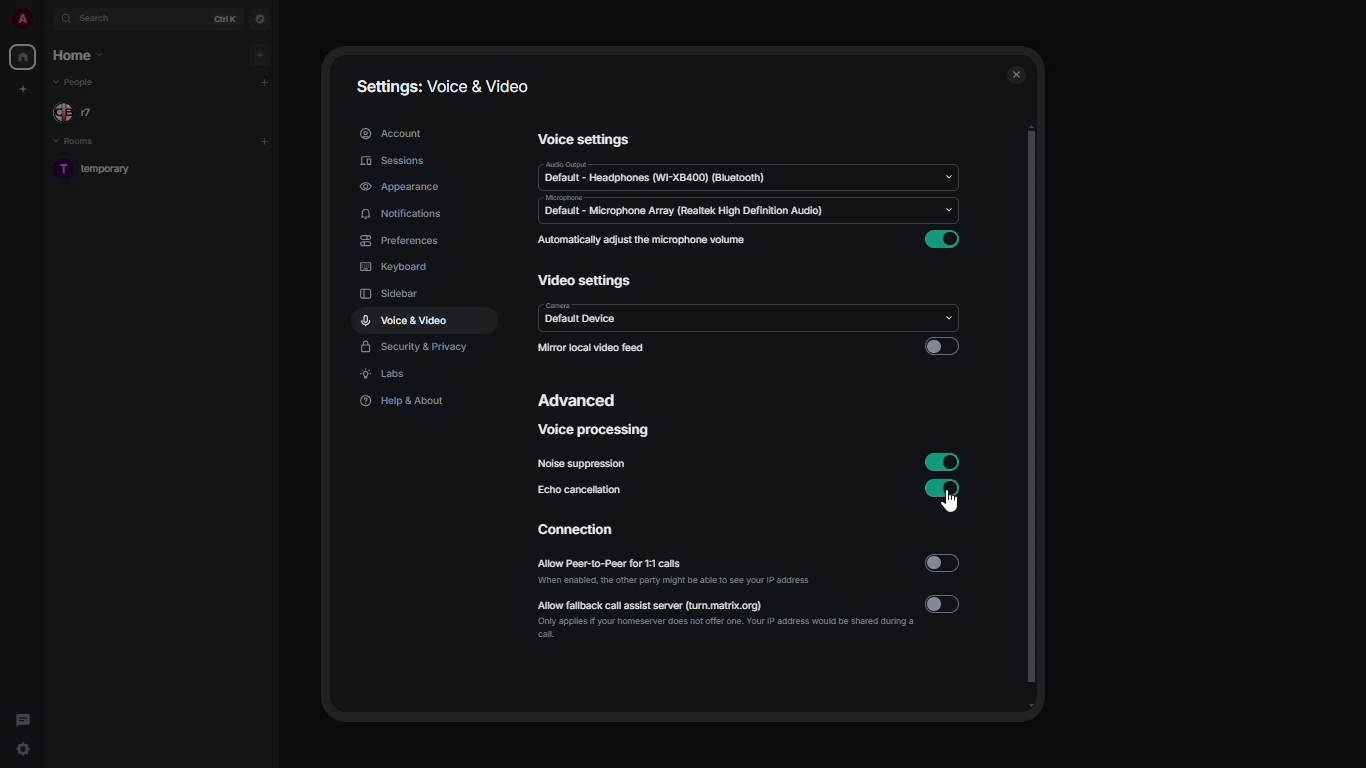 The width and height of the screenshot is (1366, 768). Describe the element at coordinates (405, 213) in the screenshot. I see `notifications` at that location.